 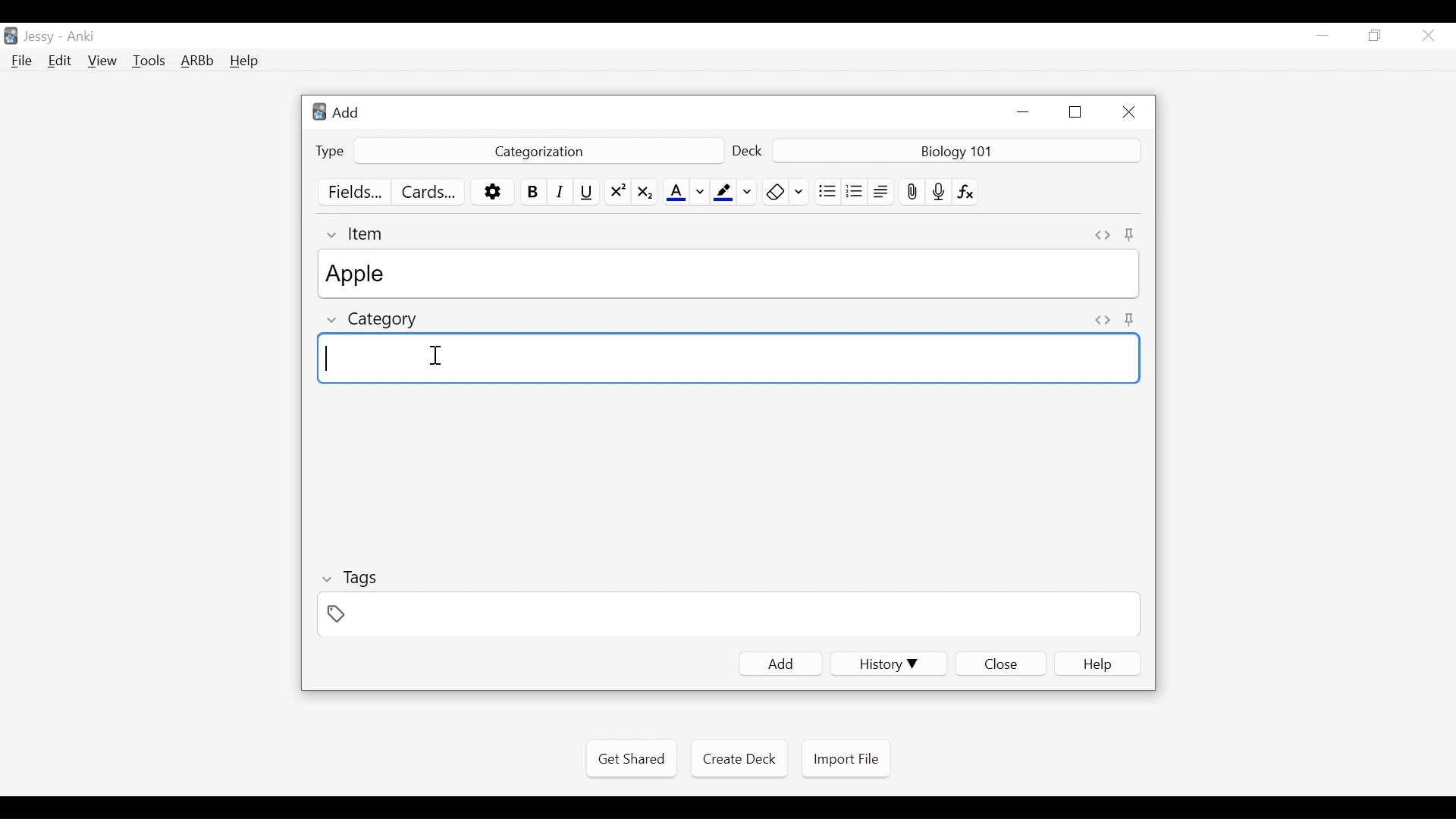 I want to click on Get Shared, so click(x=631, y=759).